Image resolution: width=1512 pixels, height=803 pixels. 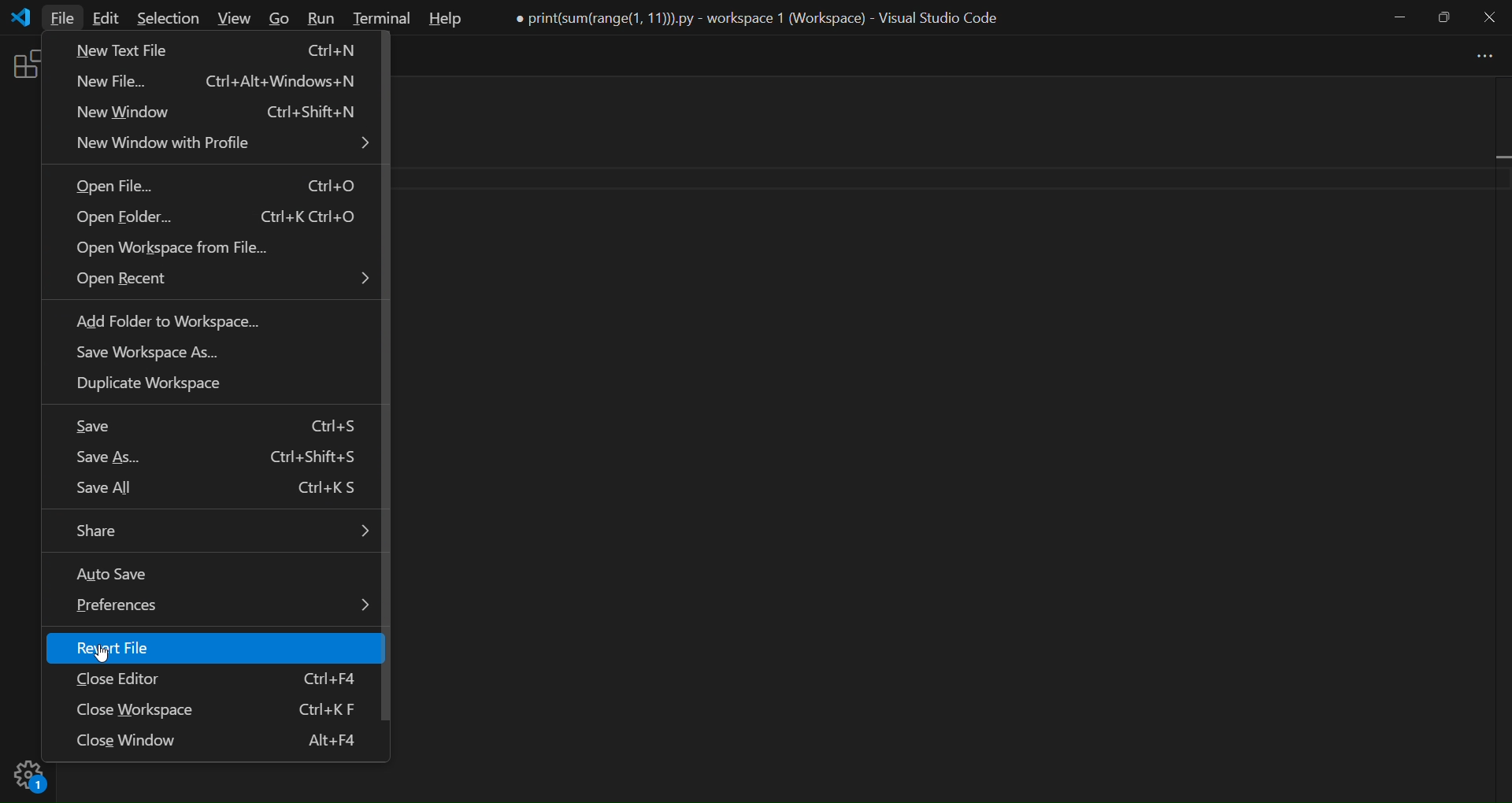 I want to click on extension, so click(x=23, y=68).